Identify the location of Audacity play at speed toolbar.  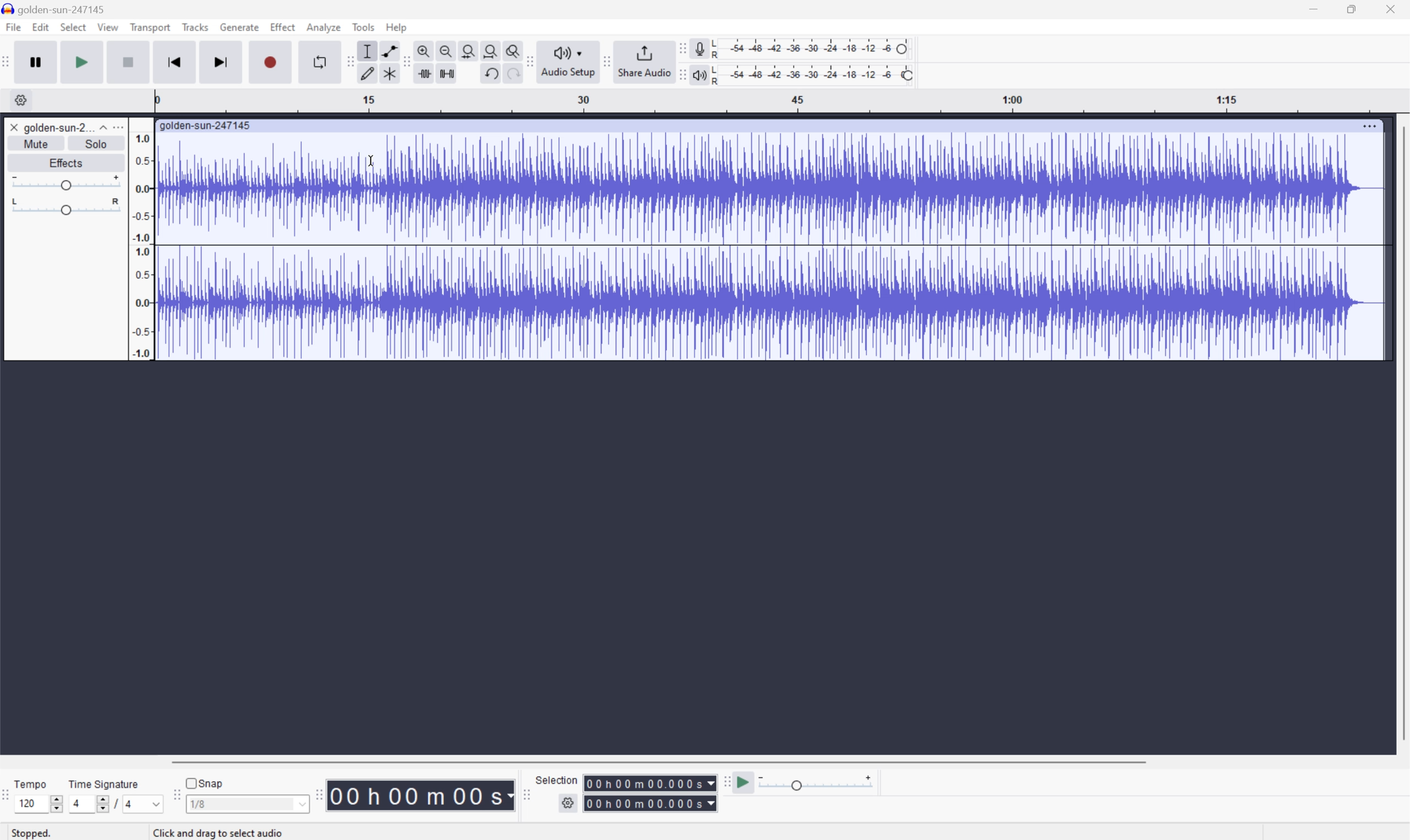
(725, 782).